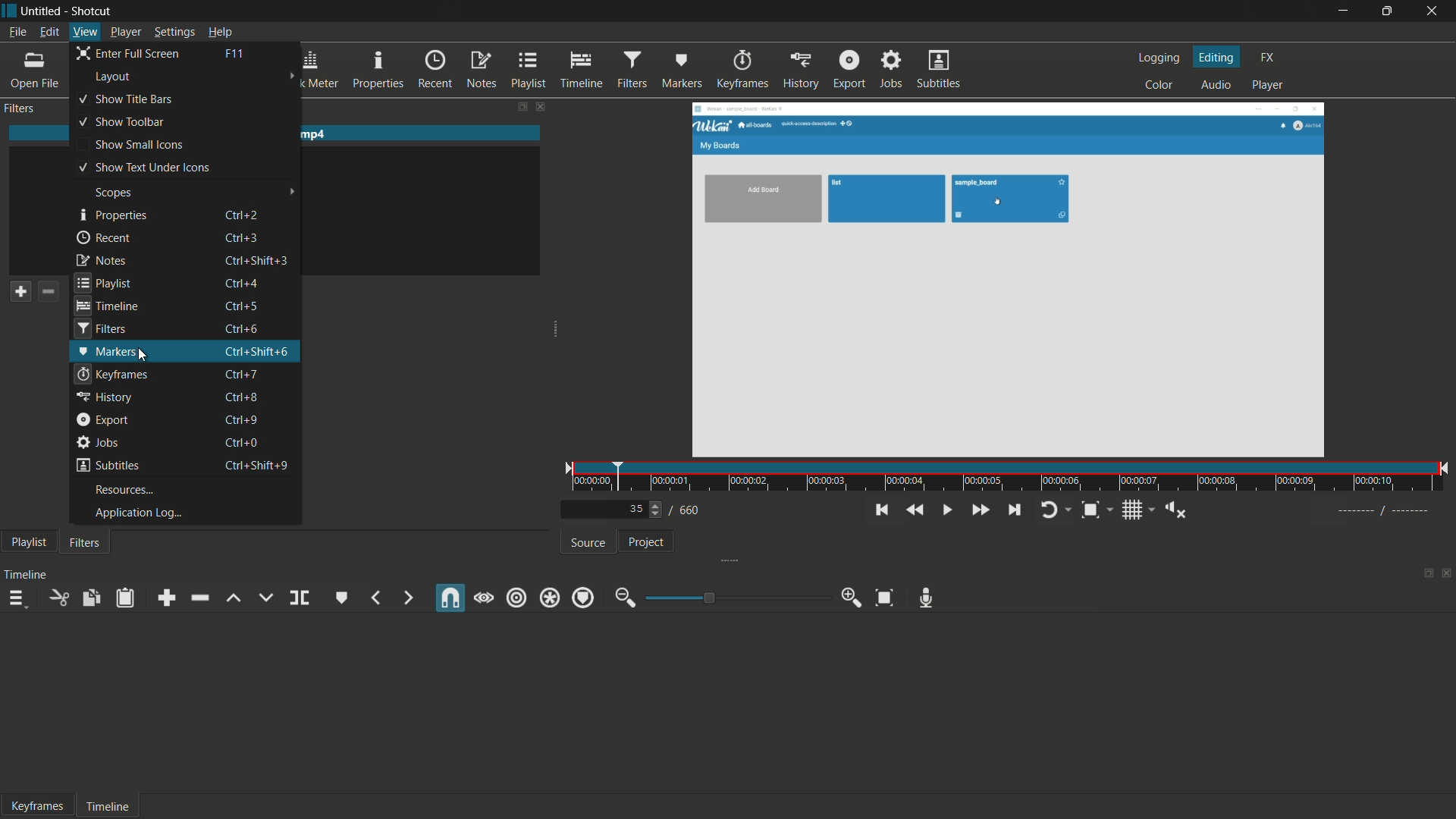 The image size is (1456, 819). What do you see at coordinates (1094, 511) in the screenshot?
I see `toggle zoom` at bounding box center [1094, 511].